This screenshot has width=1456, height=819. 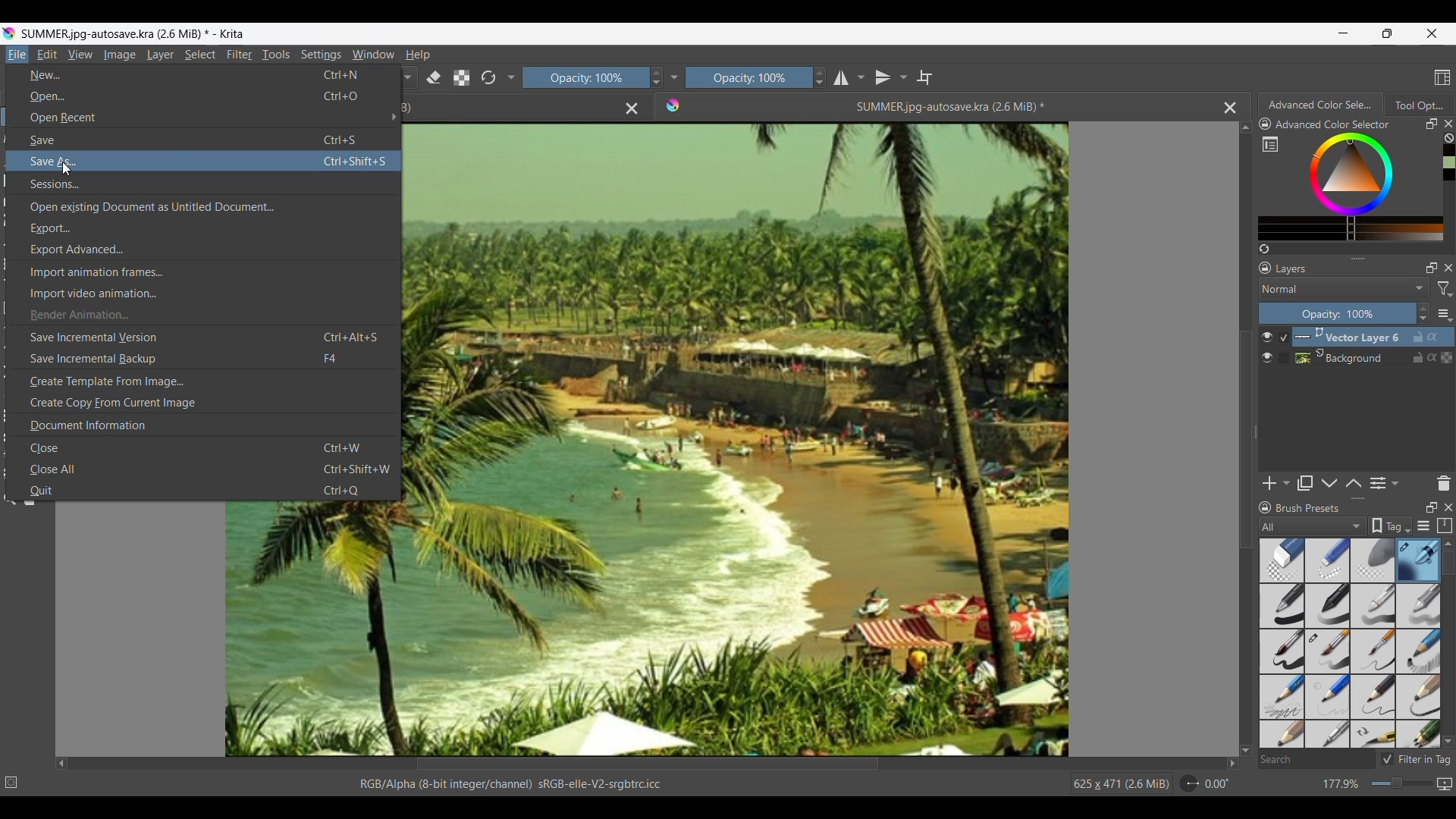 What do you see at coordinates (1390, 526) in the screenshot?
I see `Show the tag box options` at bounding box center [1390, 526].